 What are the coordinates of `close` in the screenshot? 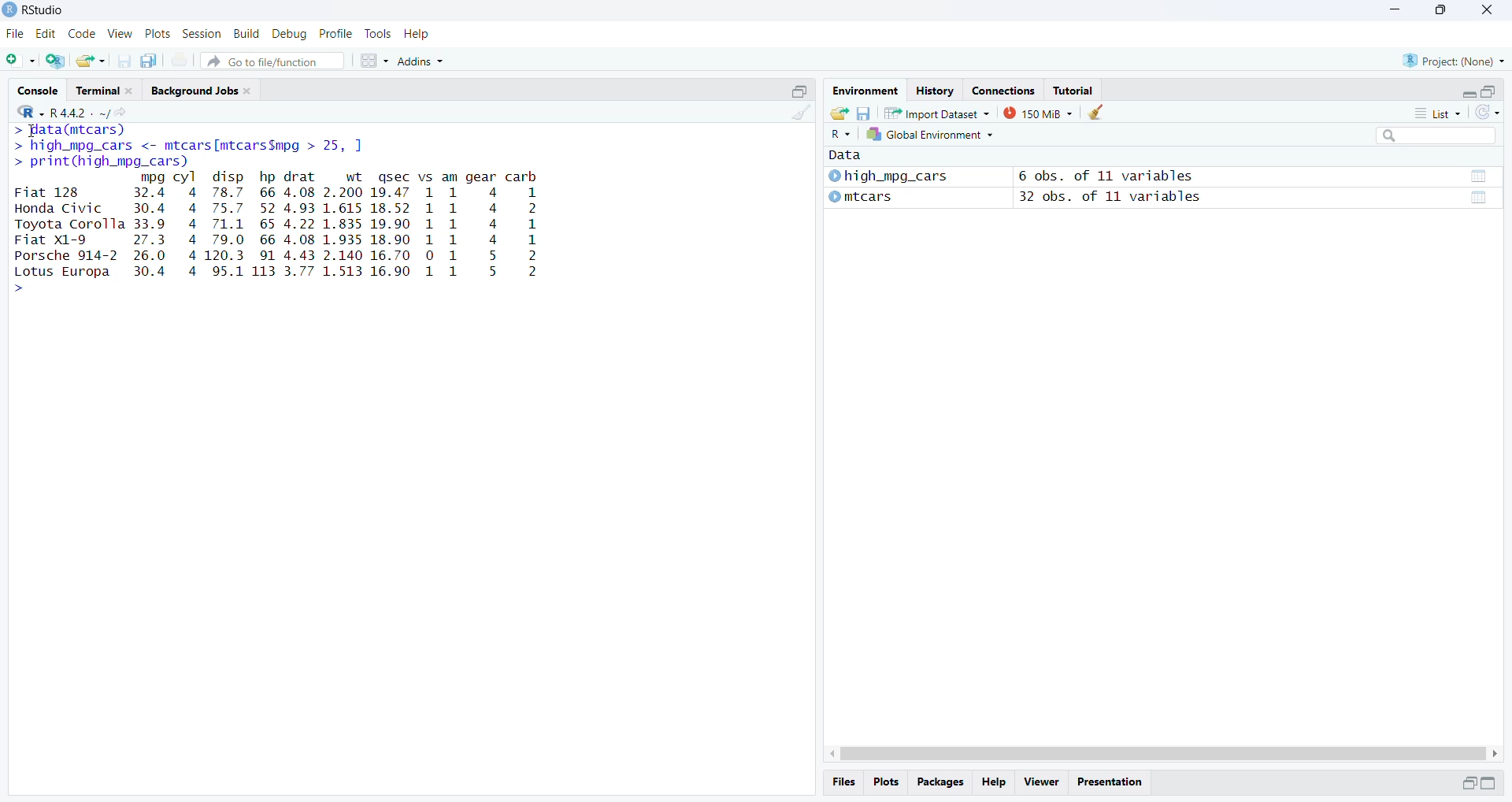 It's located at (1486, 12).